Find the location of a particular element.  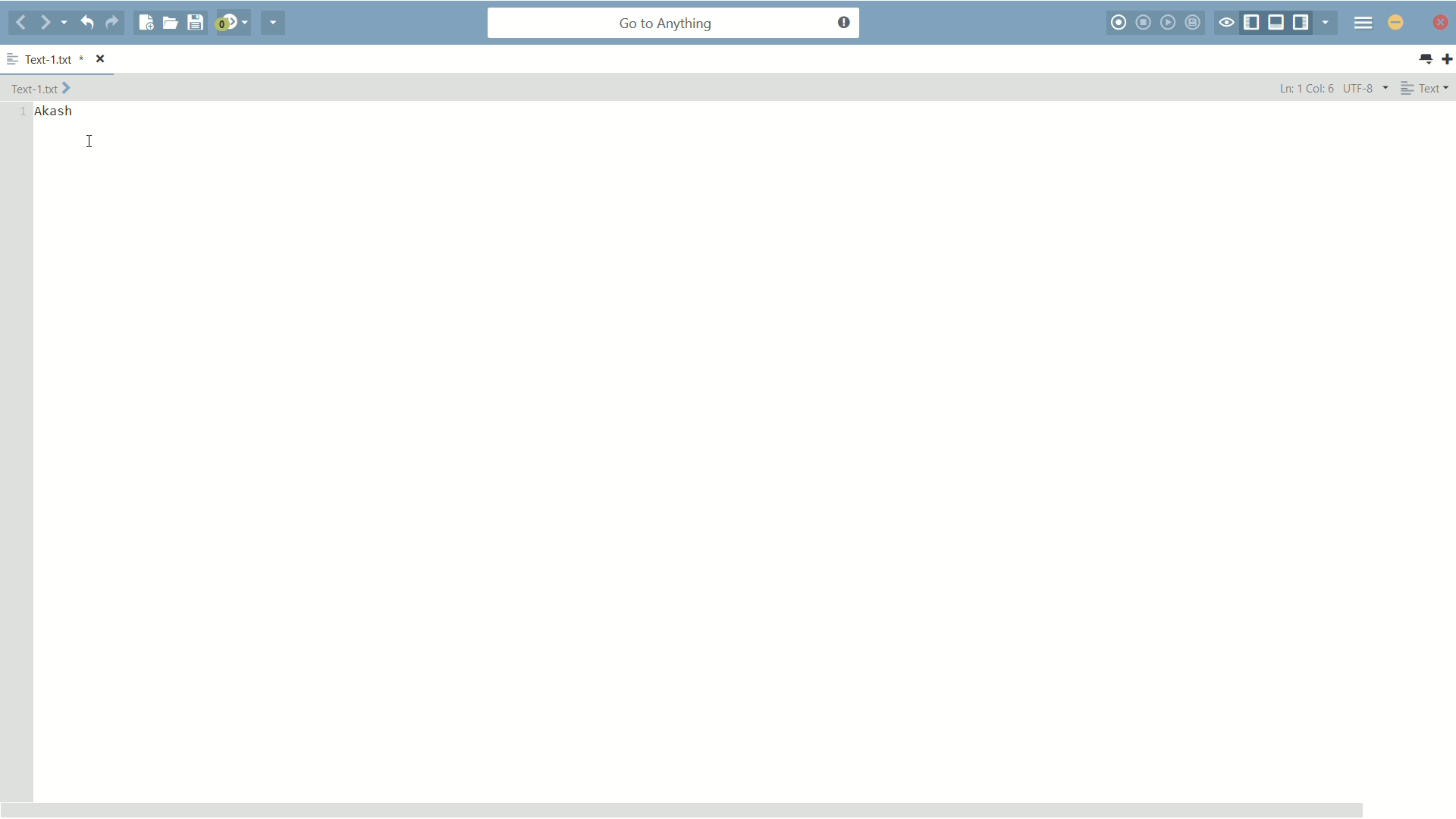

share current file is located at coordinates (272, 24).